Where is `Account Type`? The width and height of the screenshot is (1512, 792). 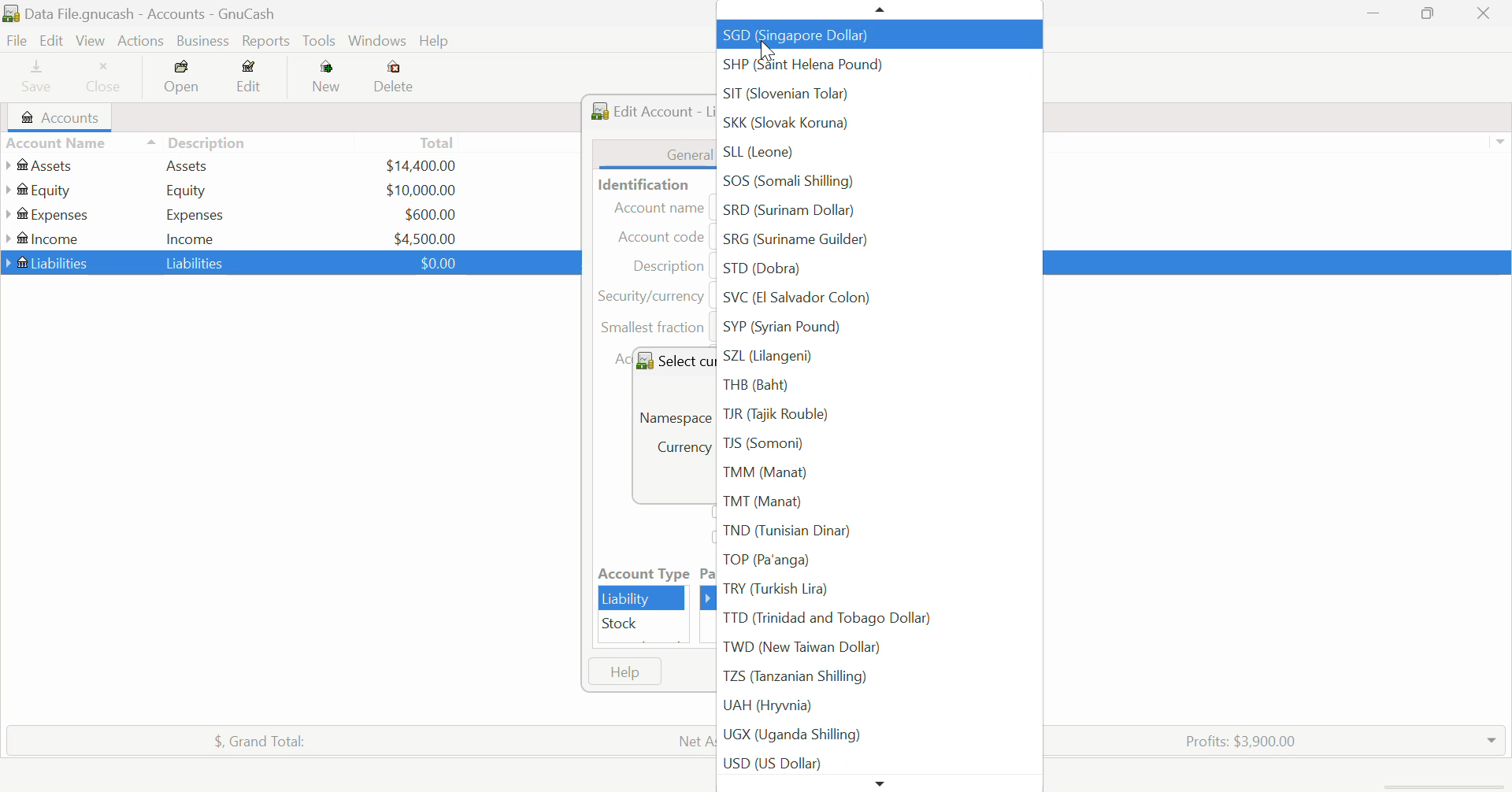 Account Type is located at coordinates (642, 574).